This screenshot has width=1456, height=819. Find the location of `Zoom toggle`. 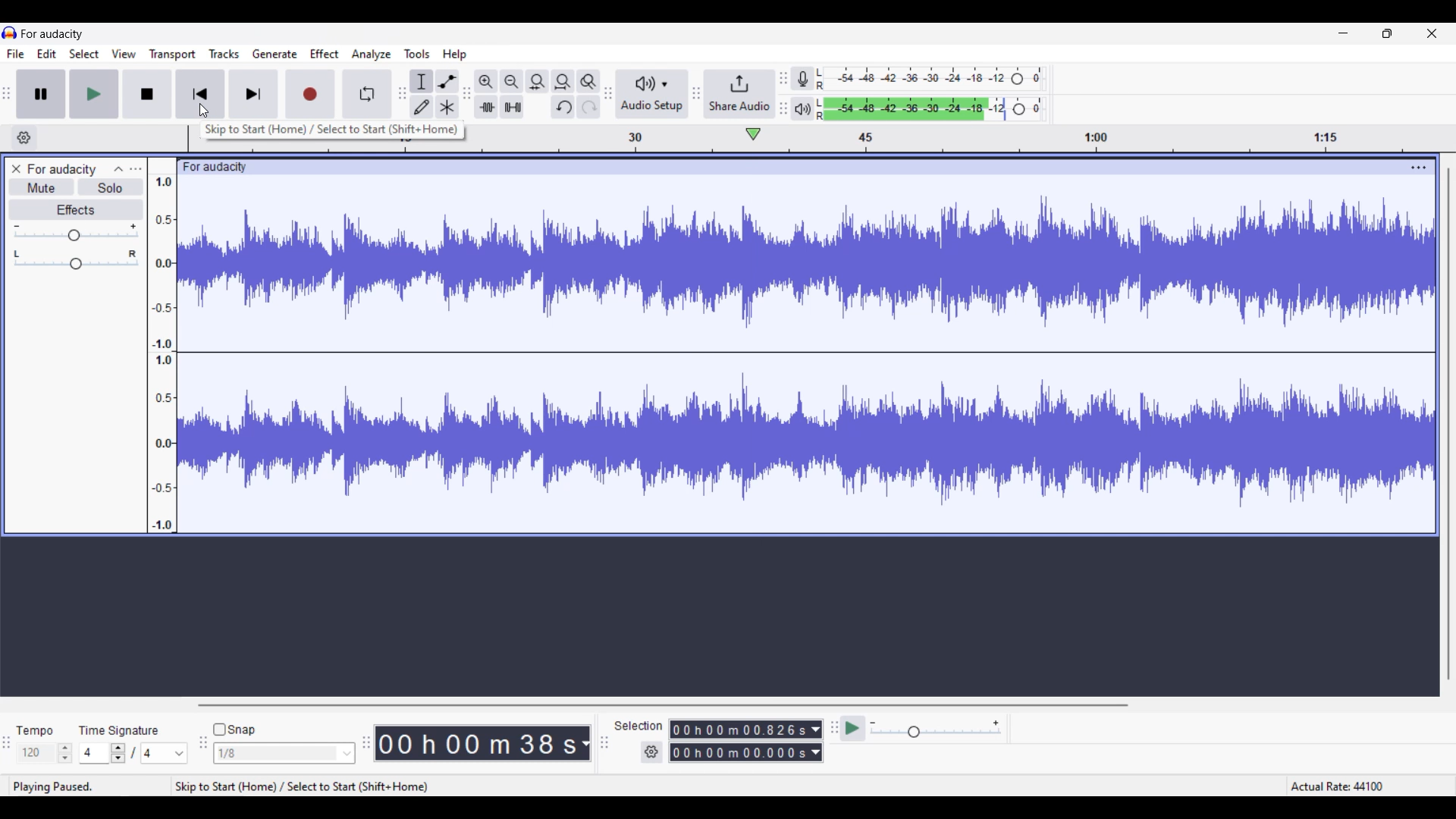

Zoom toggle is located at coordinates (588, 82).